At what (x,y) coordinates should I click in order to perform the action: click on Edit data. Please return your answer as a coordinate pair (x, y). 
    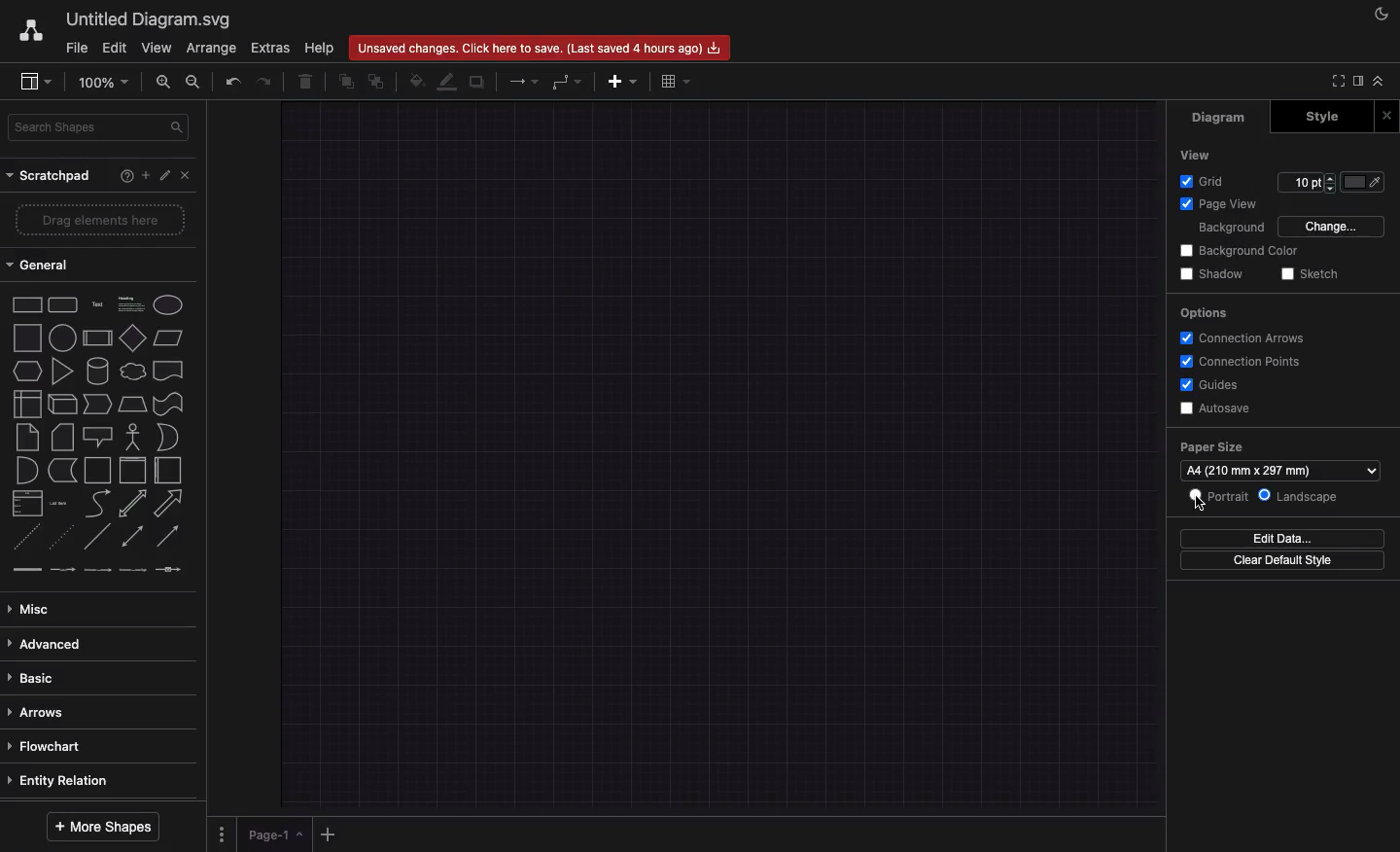
    Looking at the image, I should click on (1282, 539).